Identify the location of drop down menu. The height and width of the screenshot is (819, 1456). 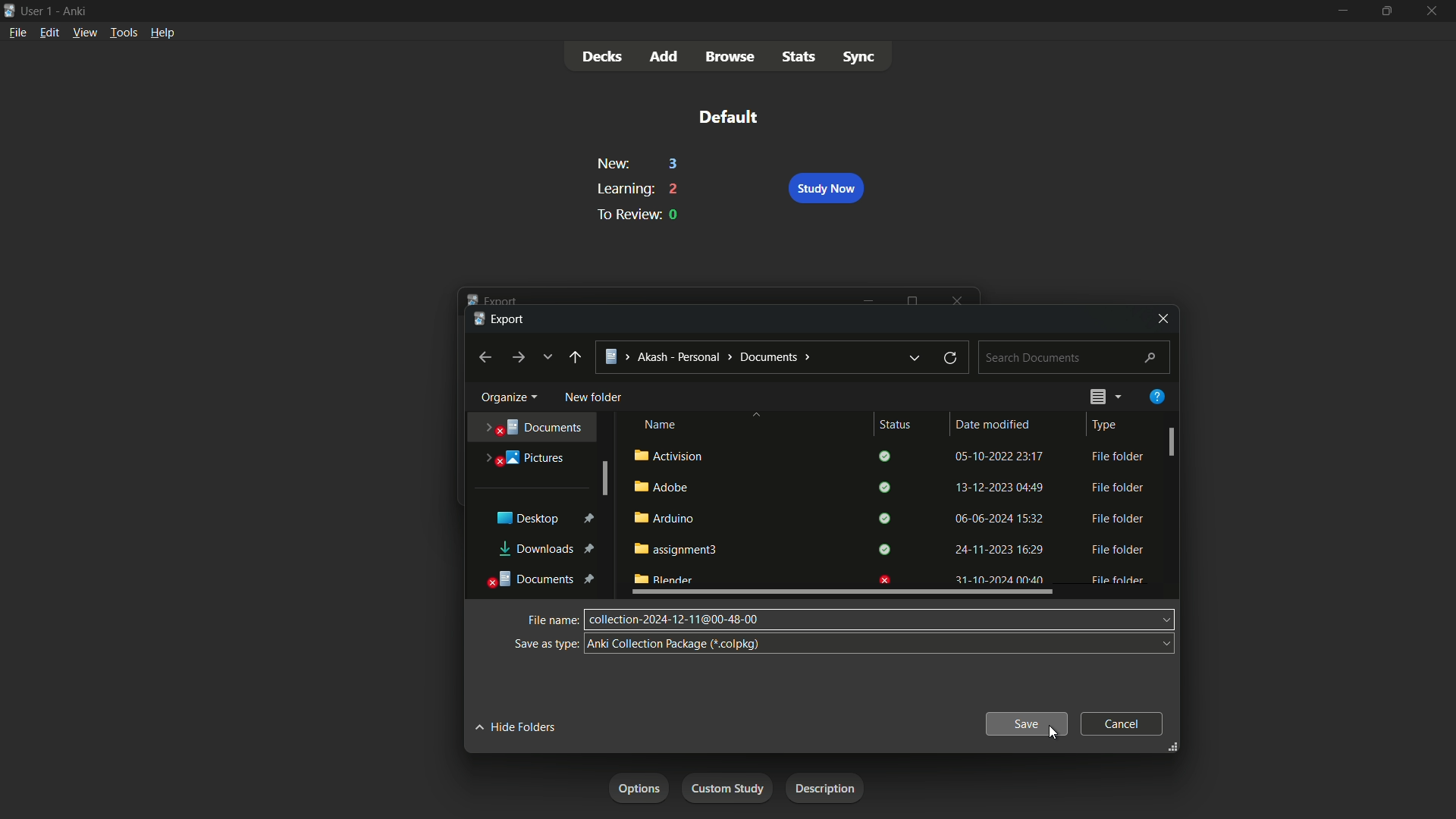
(1150, 617).